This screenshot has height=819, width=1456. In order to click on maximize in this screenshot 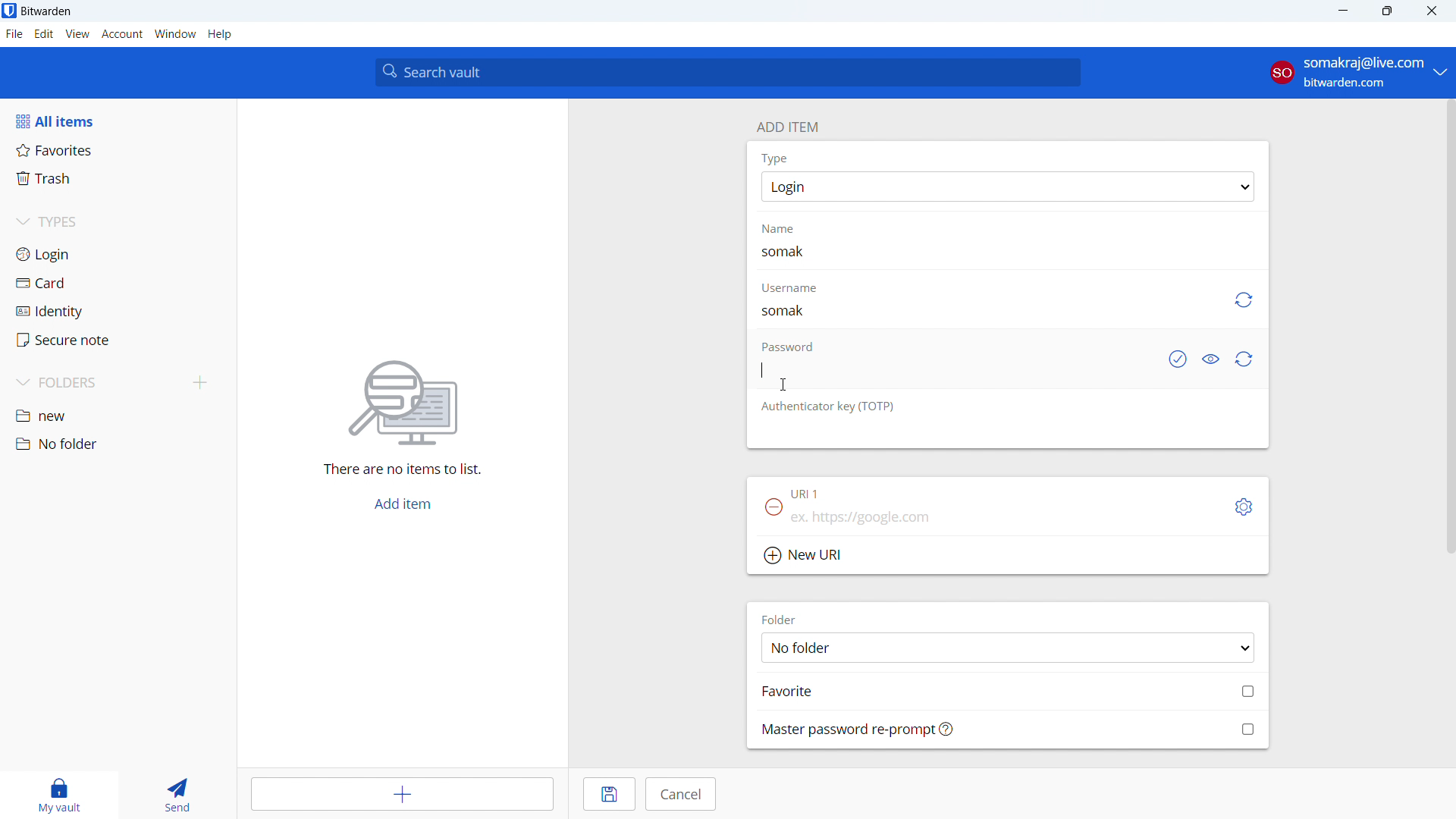, I will do `click(1386, 11)`.